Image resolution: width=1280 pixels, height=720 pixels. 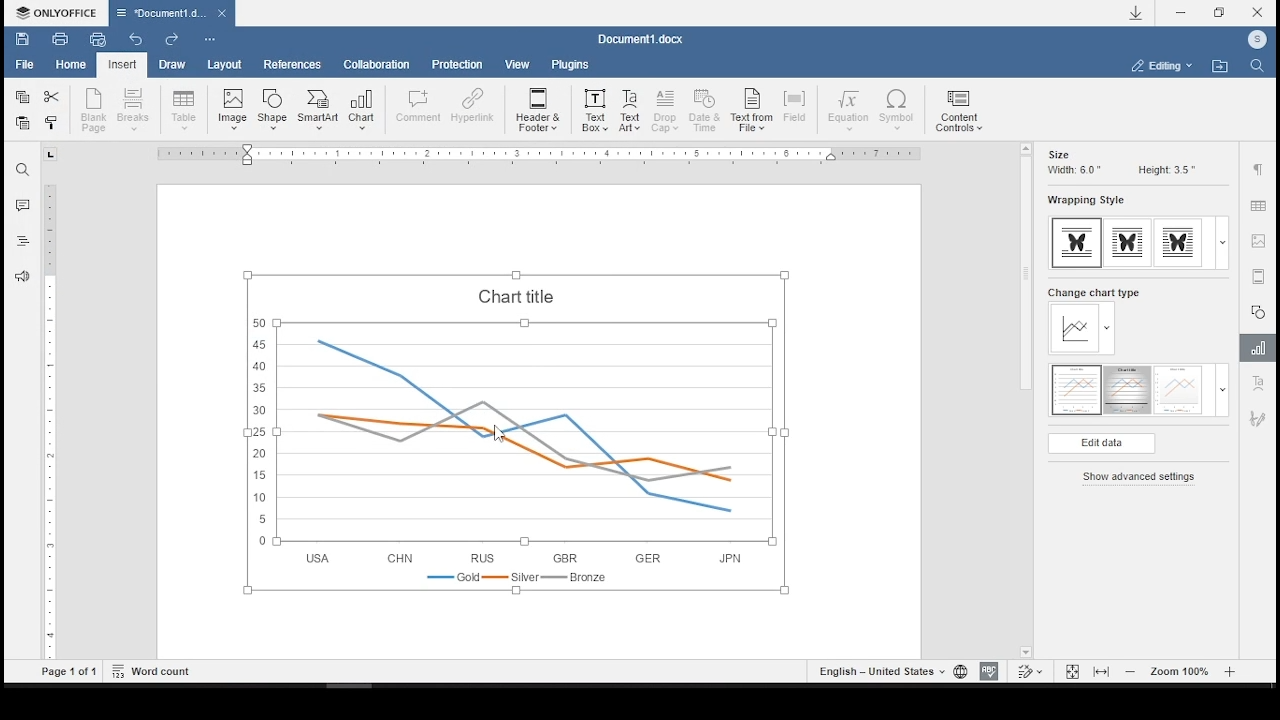 I want to click on header & footer, so click(x=538, y=108).